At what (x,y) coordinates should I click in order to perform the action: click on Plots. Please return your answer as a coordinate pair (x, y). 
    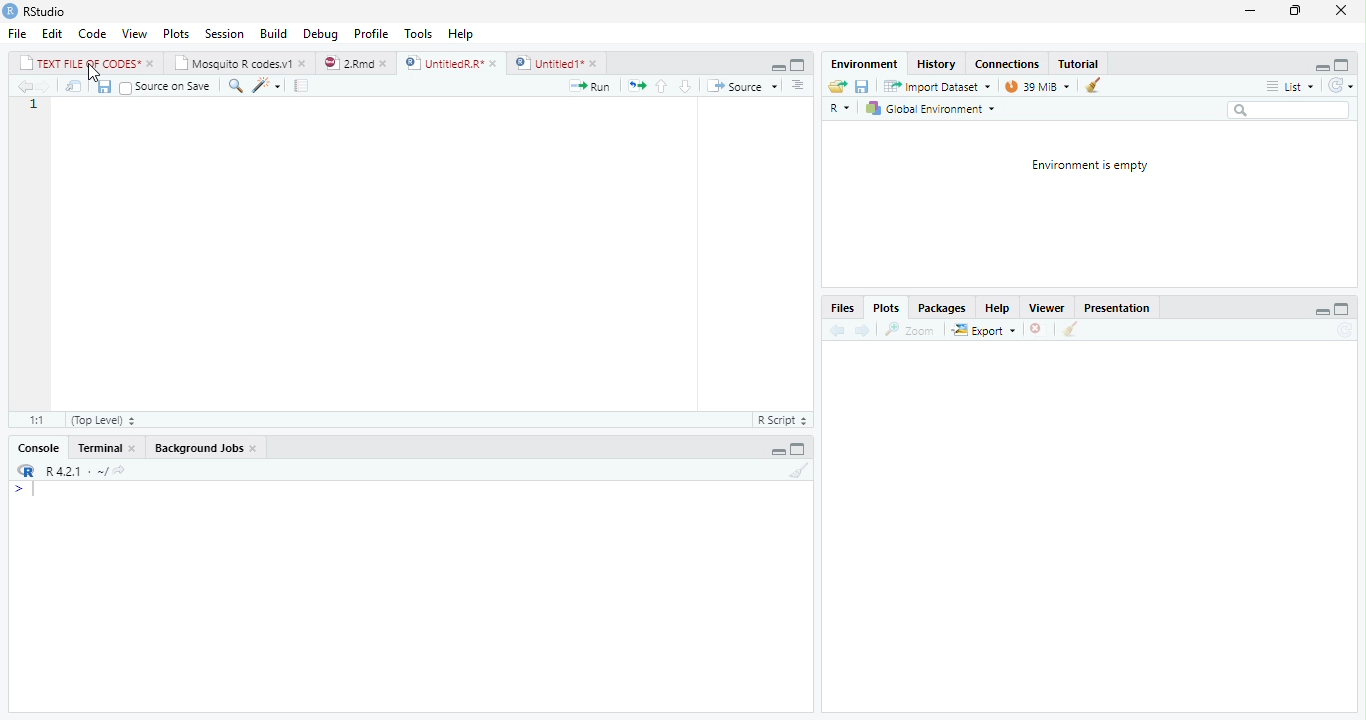
    Looking at the image, I should click on (885, 308).